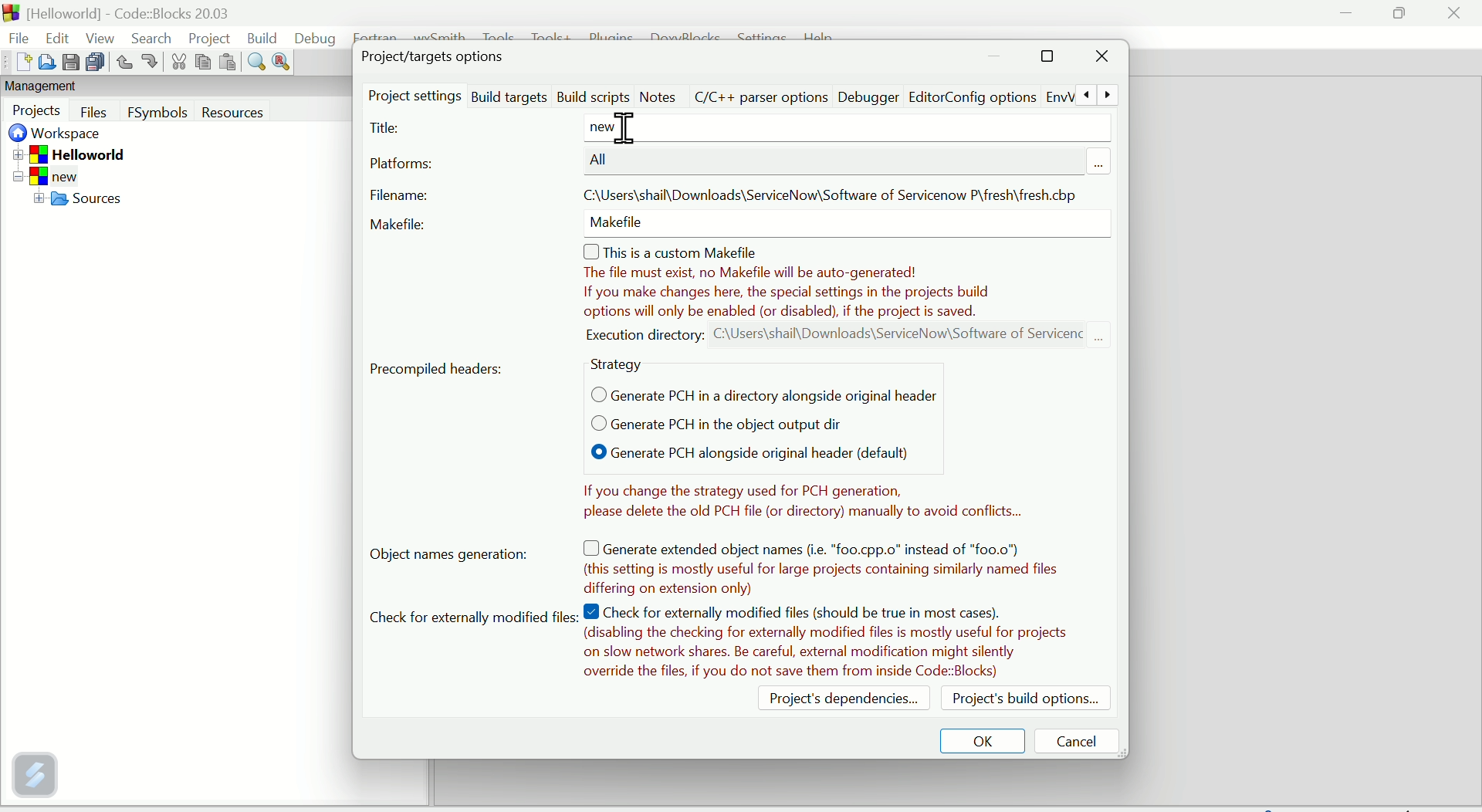  What do you see at coordinates (60, 135) in the screenshot?
I see `Workplace` at bounding box center [60, 135].